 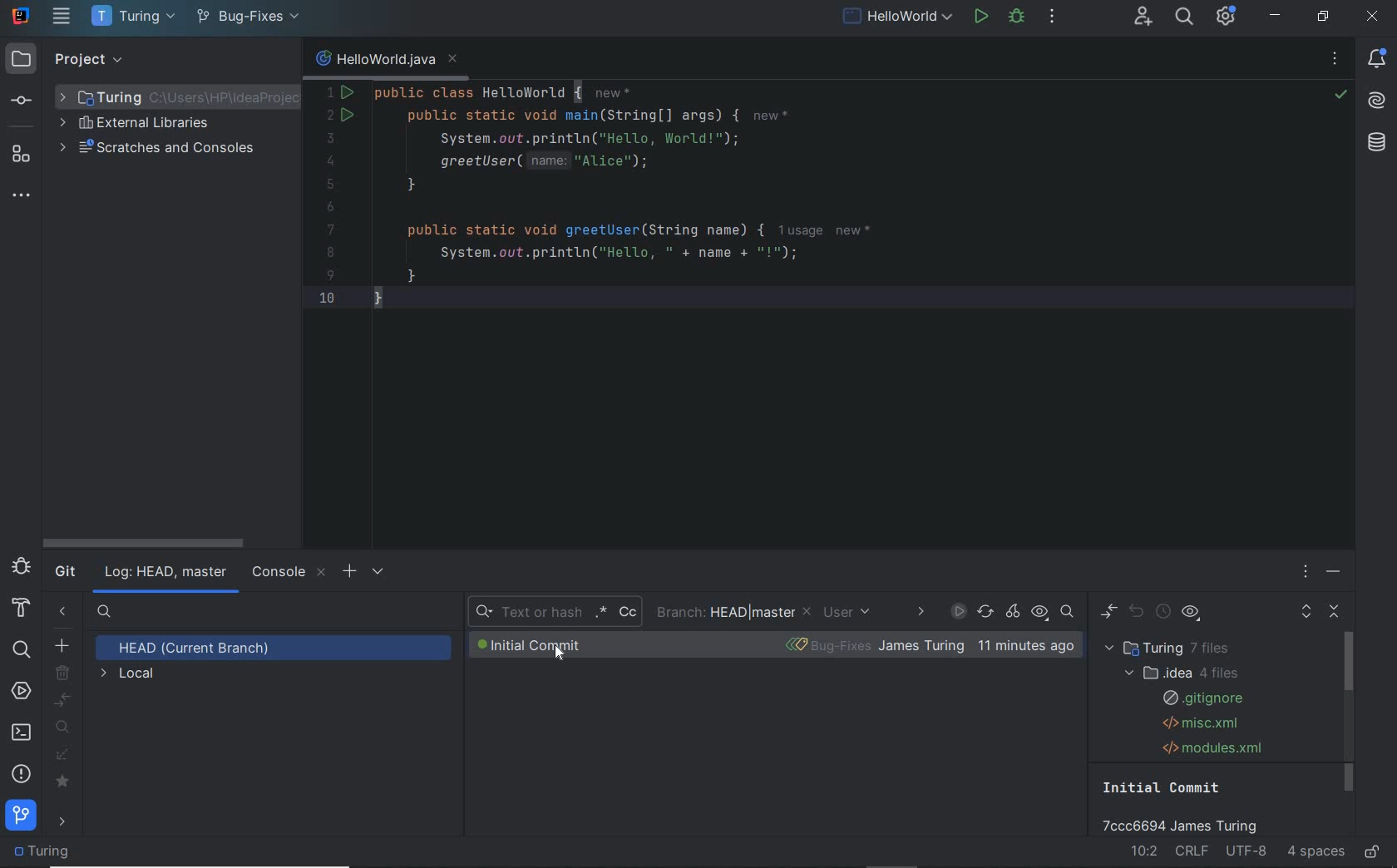 I want to click on run, so click(x=982, y=15).